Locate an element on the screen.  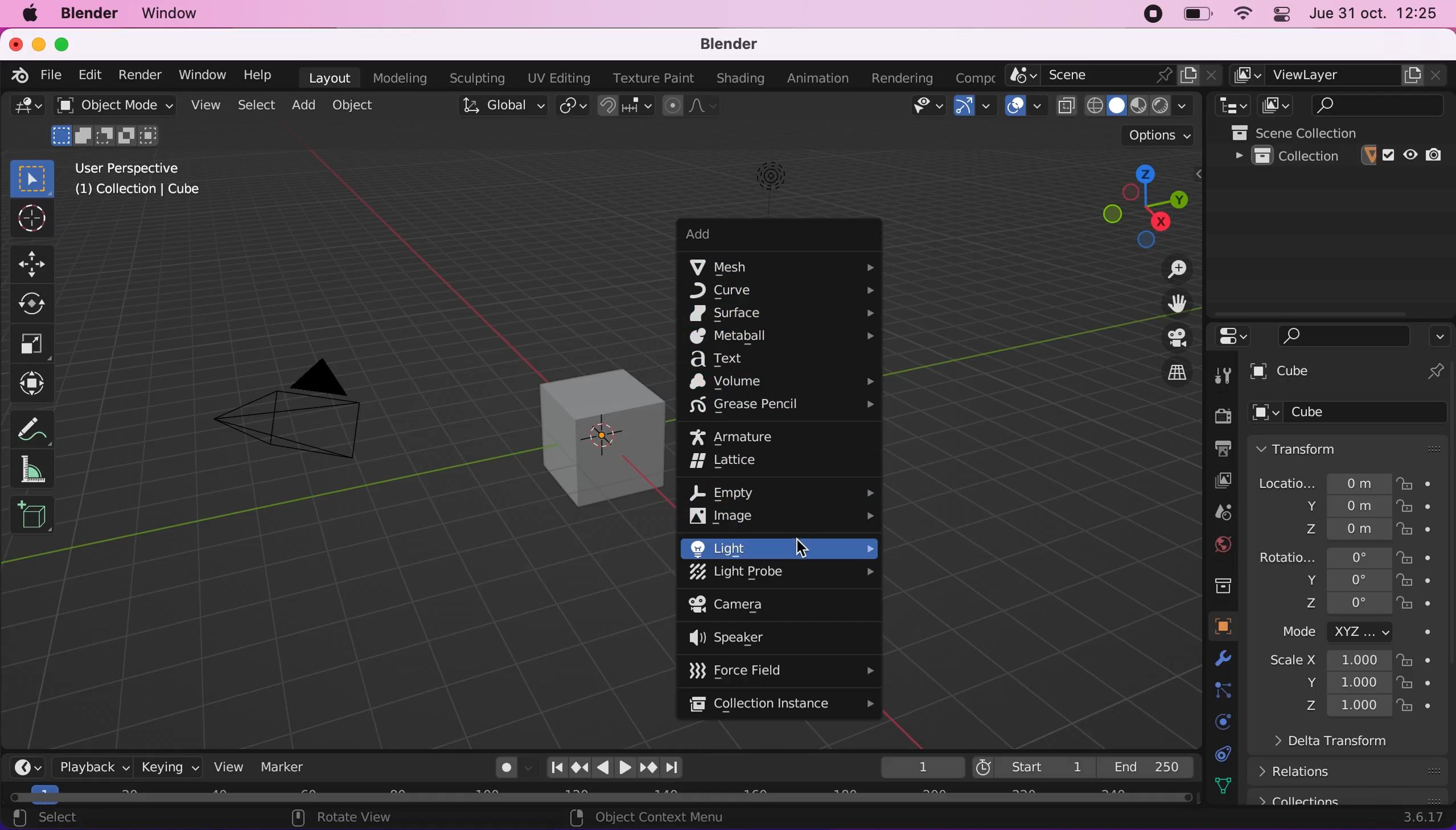
scene is located at coordinates (1213, 514).